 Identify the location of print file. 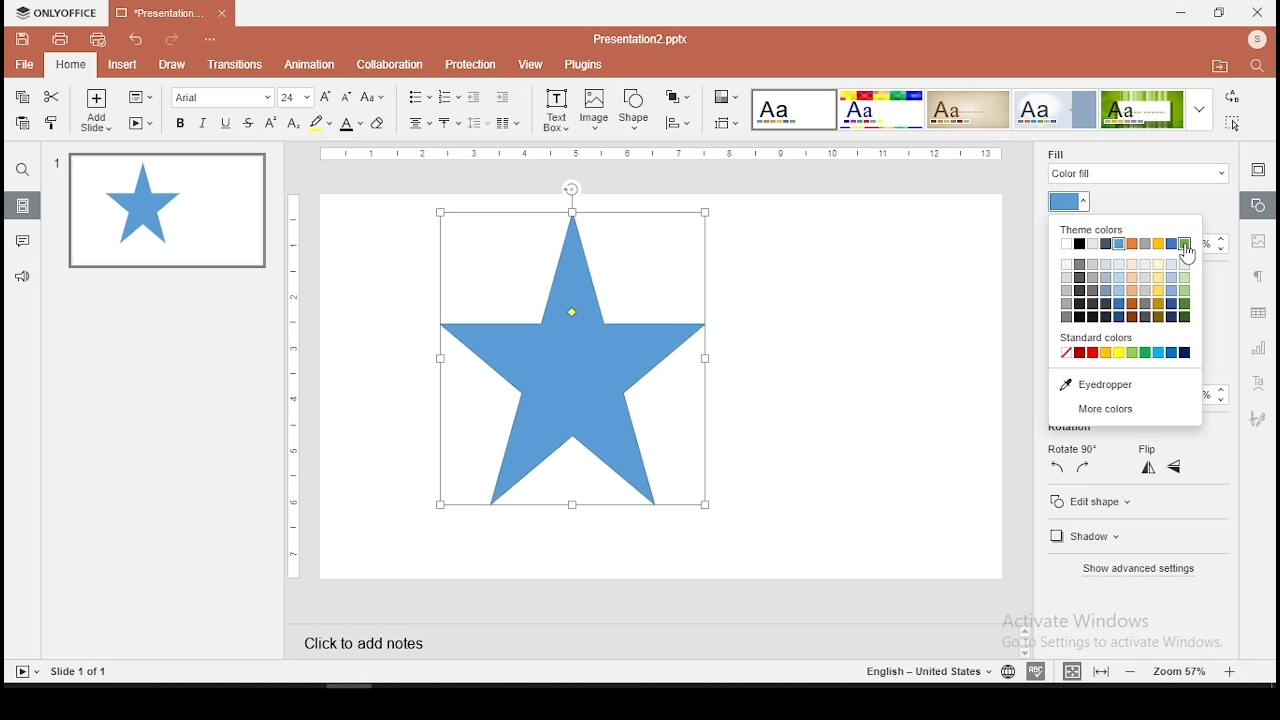
(58, 39).